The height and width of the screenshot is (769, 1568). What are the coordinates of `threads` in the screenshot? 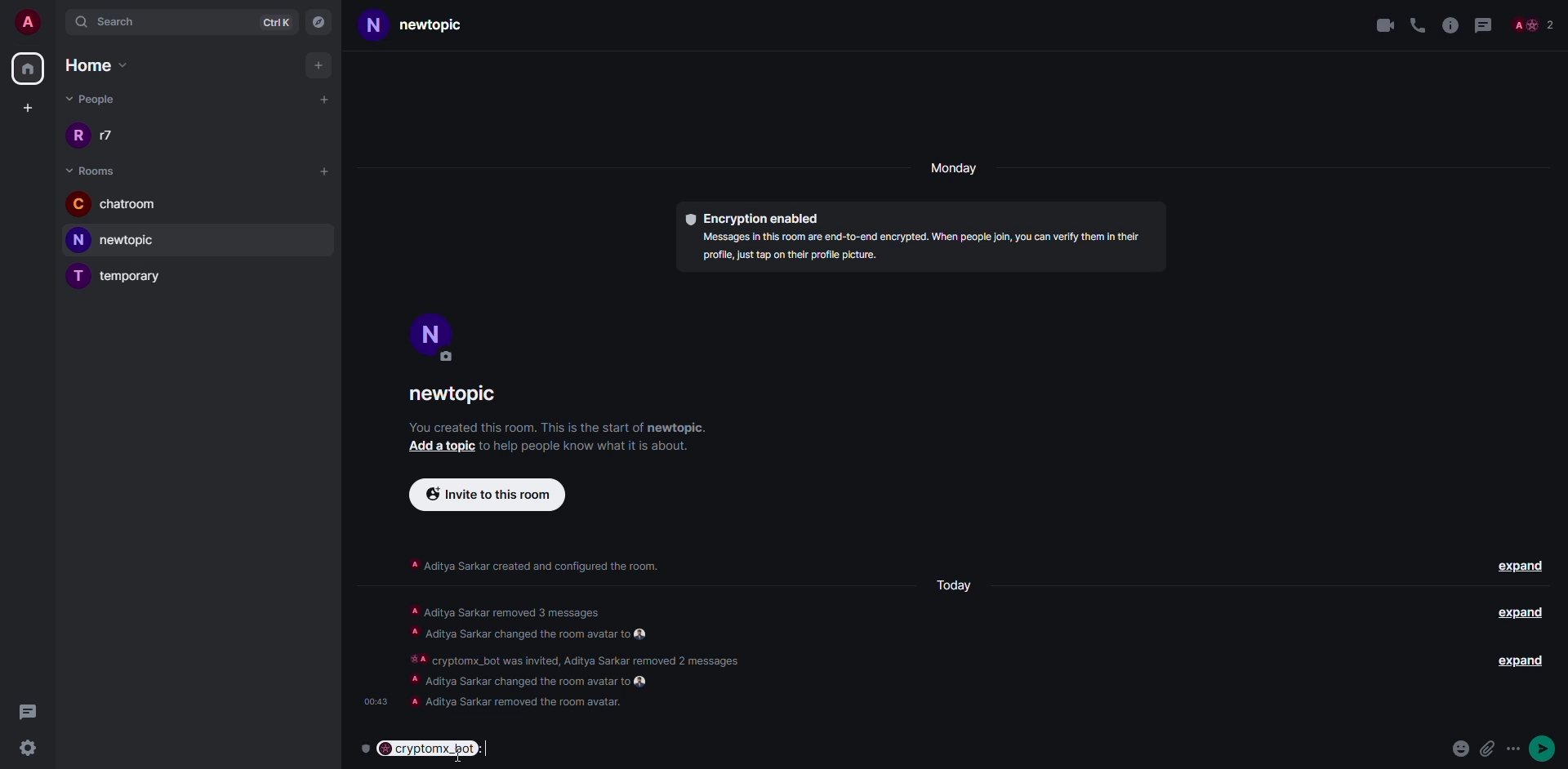 It's located at (28, 711).